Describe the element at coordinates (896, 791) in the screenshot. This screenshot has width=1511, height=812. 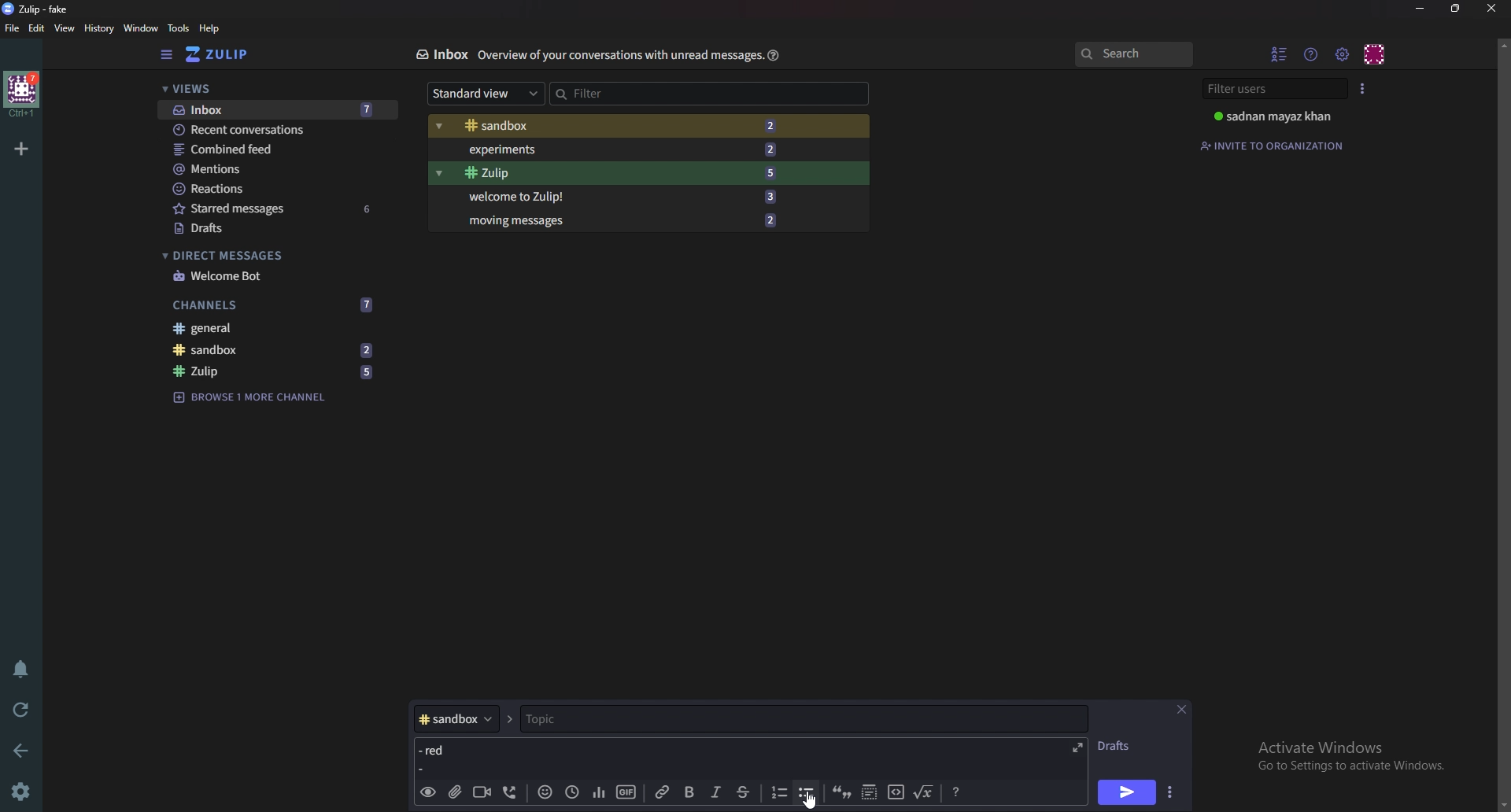
I see `code` at that location.